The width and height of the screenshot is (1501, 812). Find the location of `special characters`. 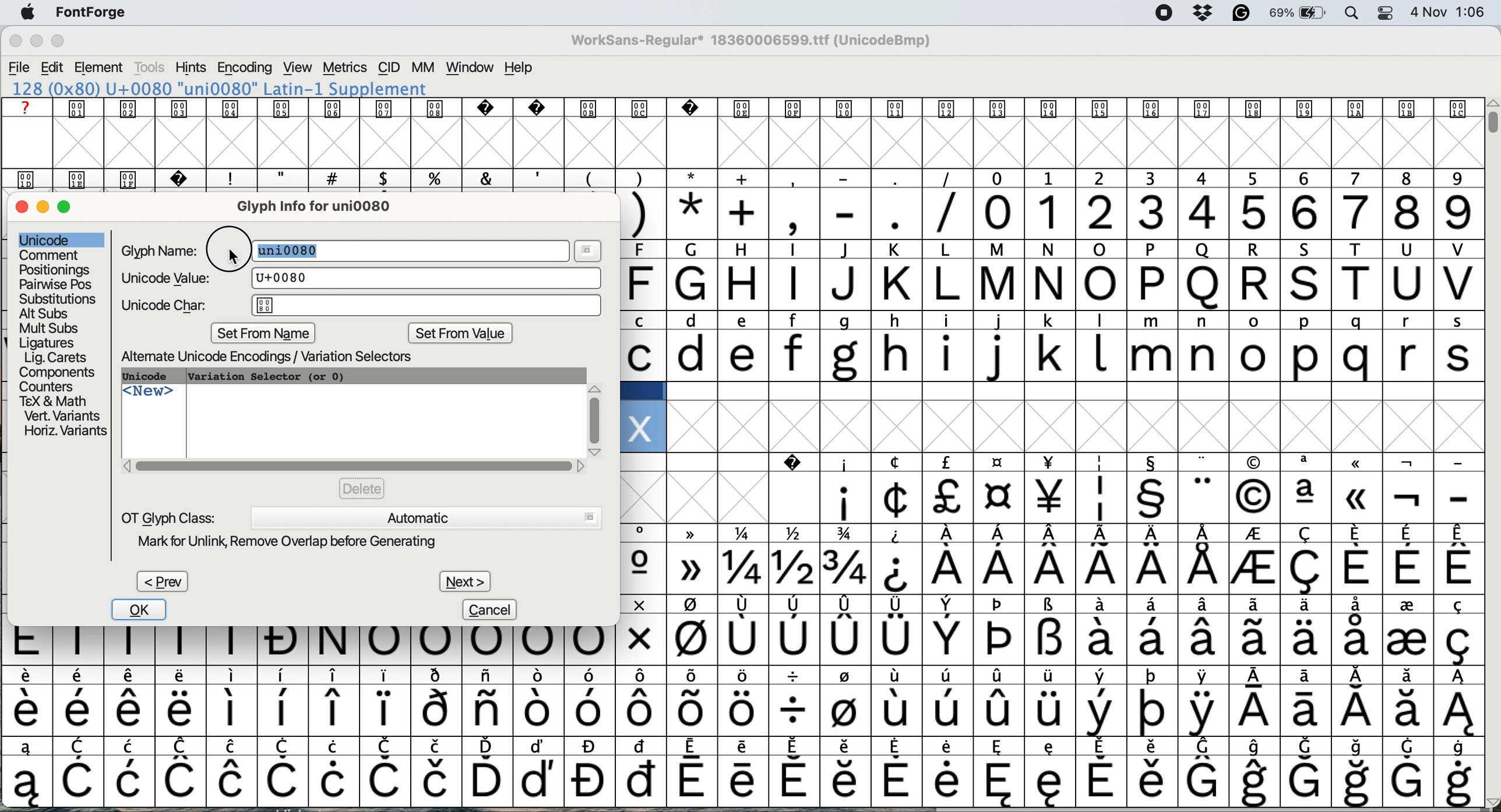

special characters is located at coordinates (739, 781).